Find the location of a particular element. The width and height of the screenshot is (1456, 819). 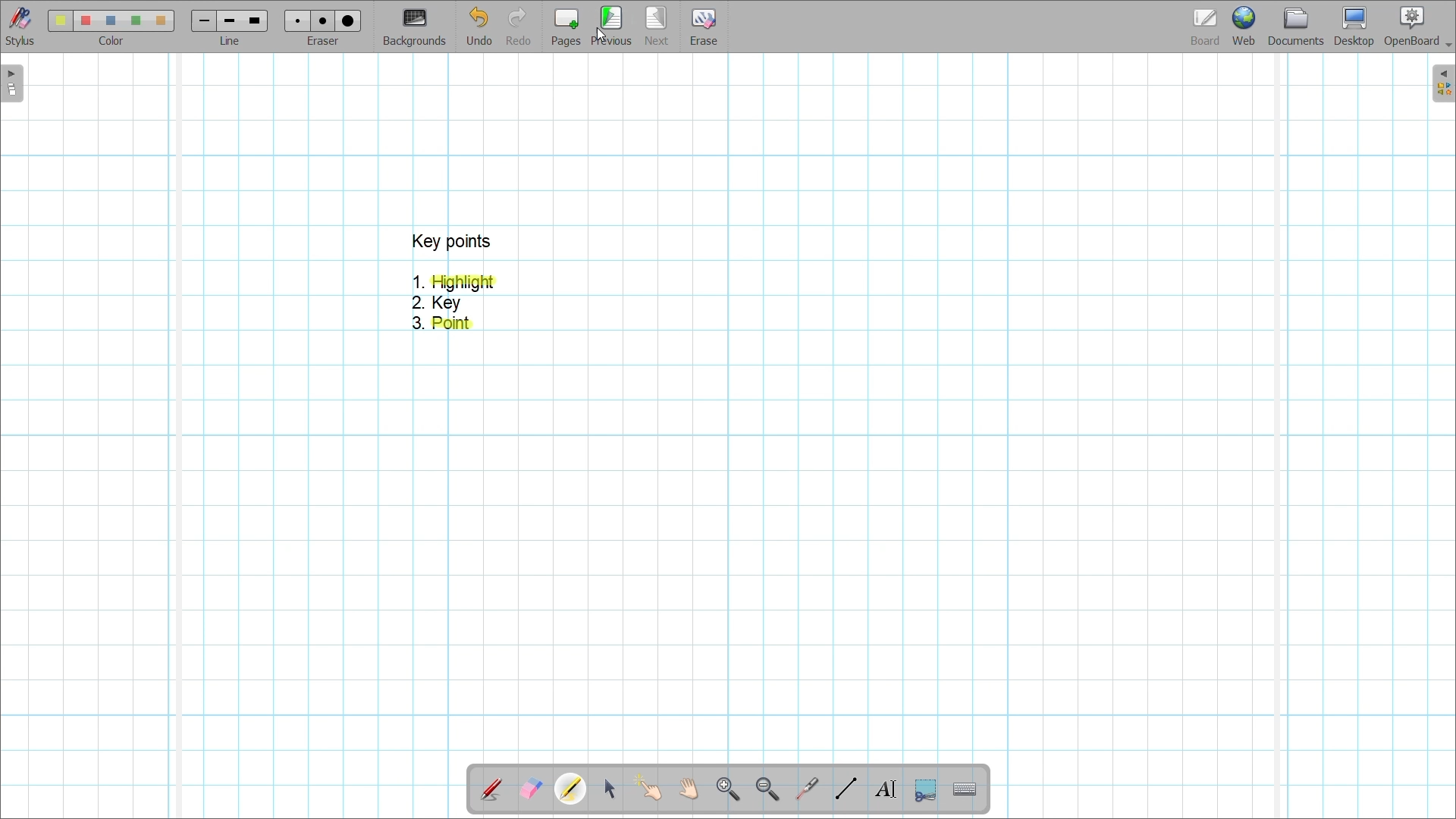

Undo is located at coordinates (480, 26).